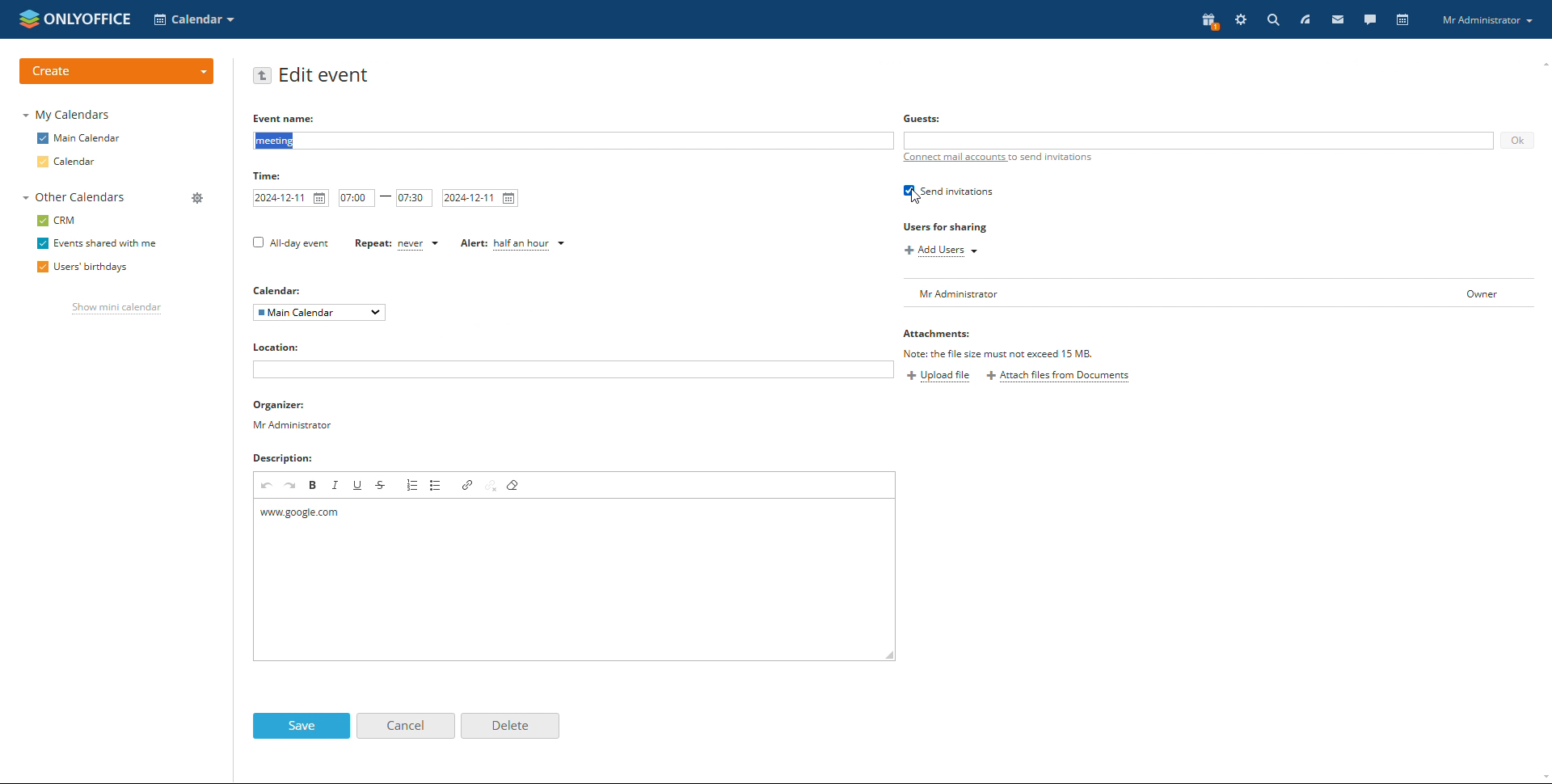 Image resolution: width=1552 pixels, height=784 pixels. I want to click on users' birthdays, so click(82, 268).